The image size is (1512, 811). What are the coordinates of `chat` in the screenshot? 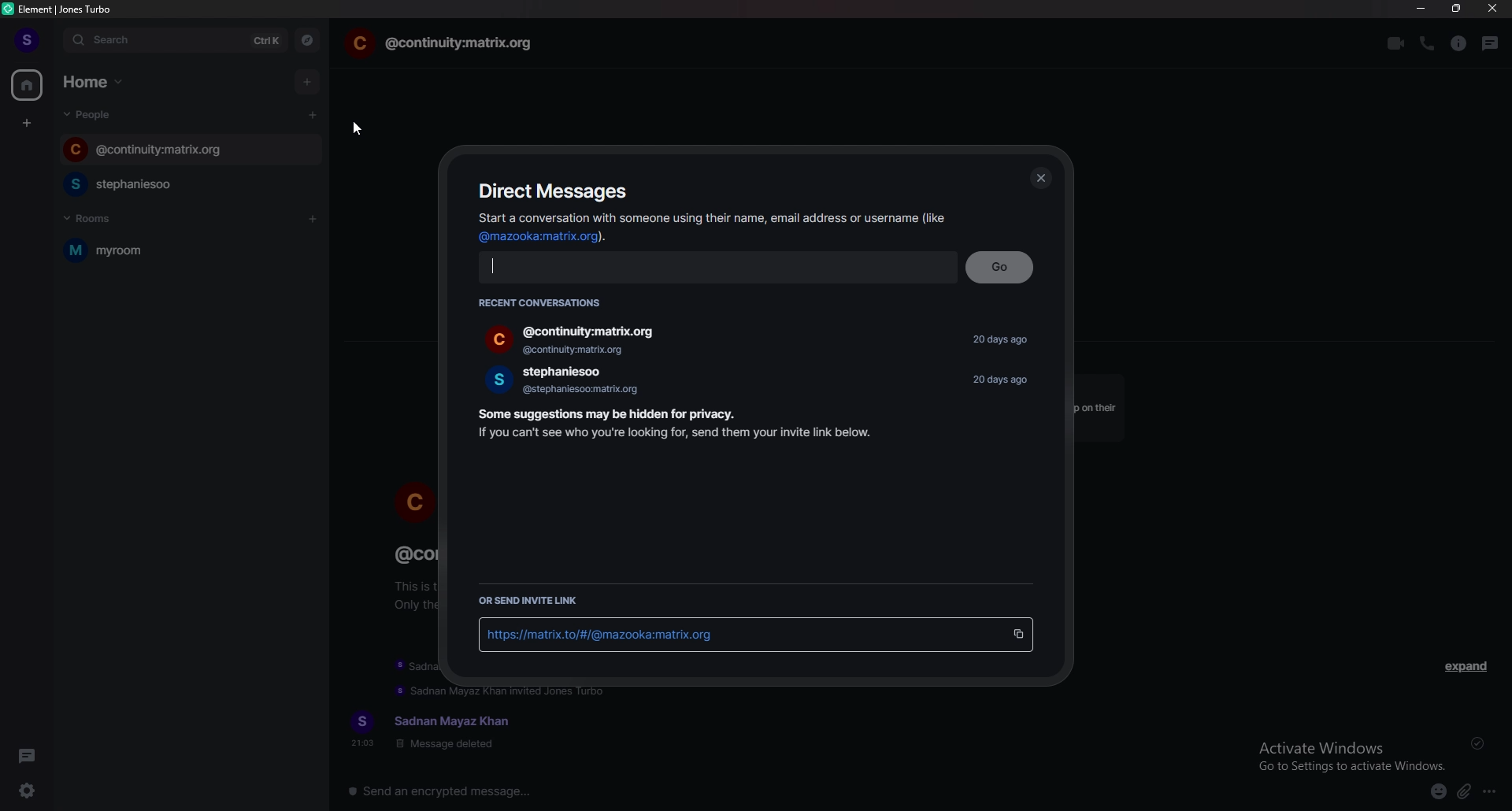 It's located at (167, 184).